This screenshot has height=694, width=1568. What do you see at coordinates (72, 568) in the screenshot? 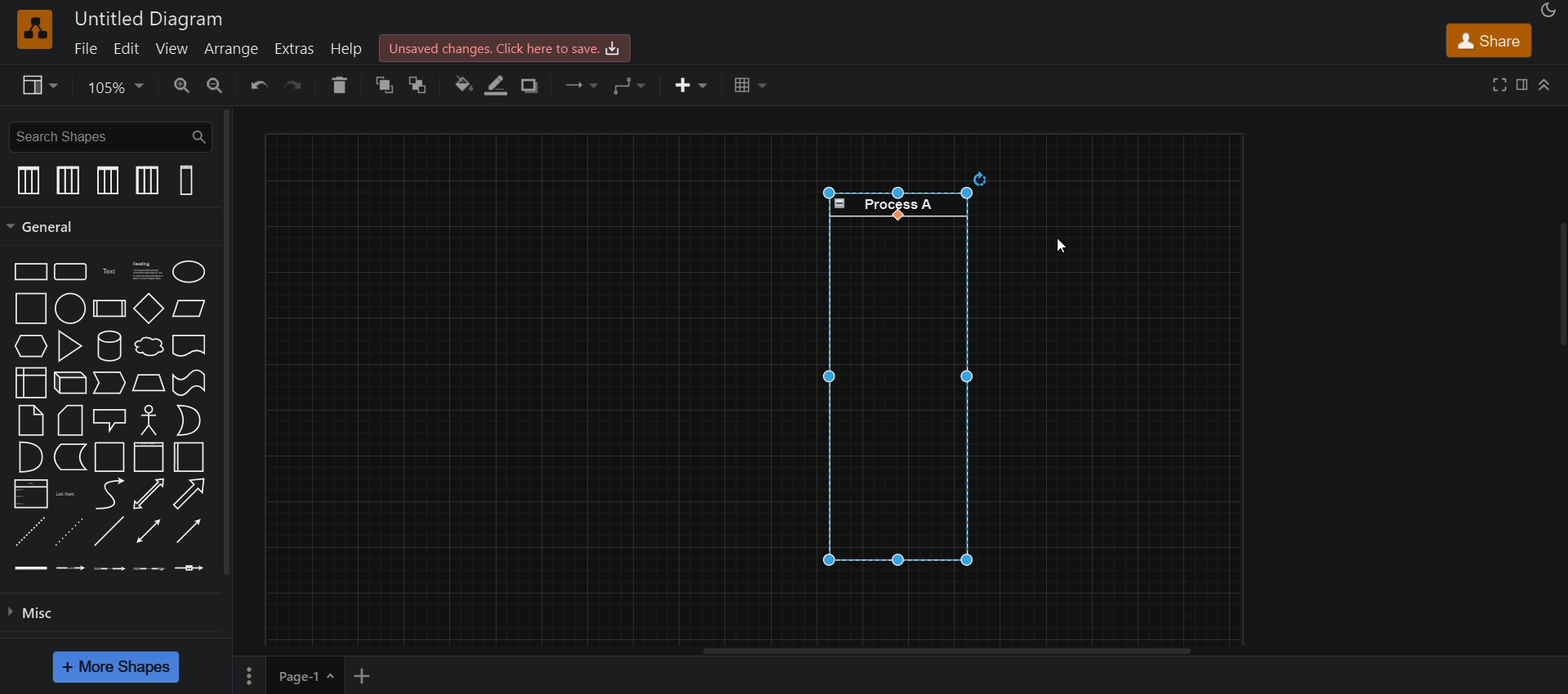
I see `connector with label` at bounding box center [72, 568].